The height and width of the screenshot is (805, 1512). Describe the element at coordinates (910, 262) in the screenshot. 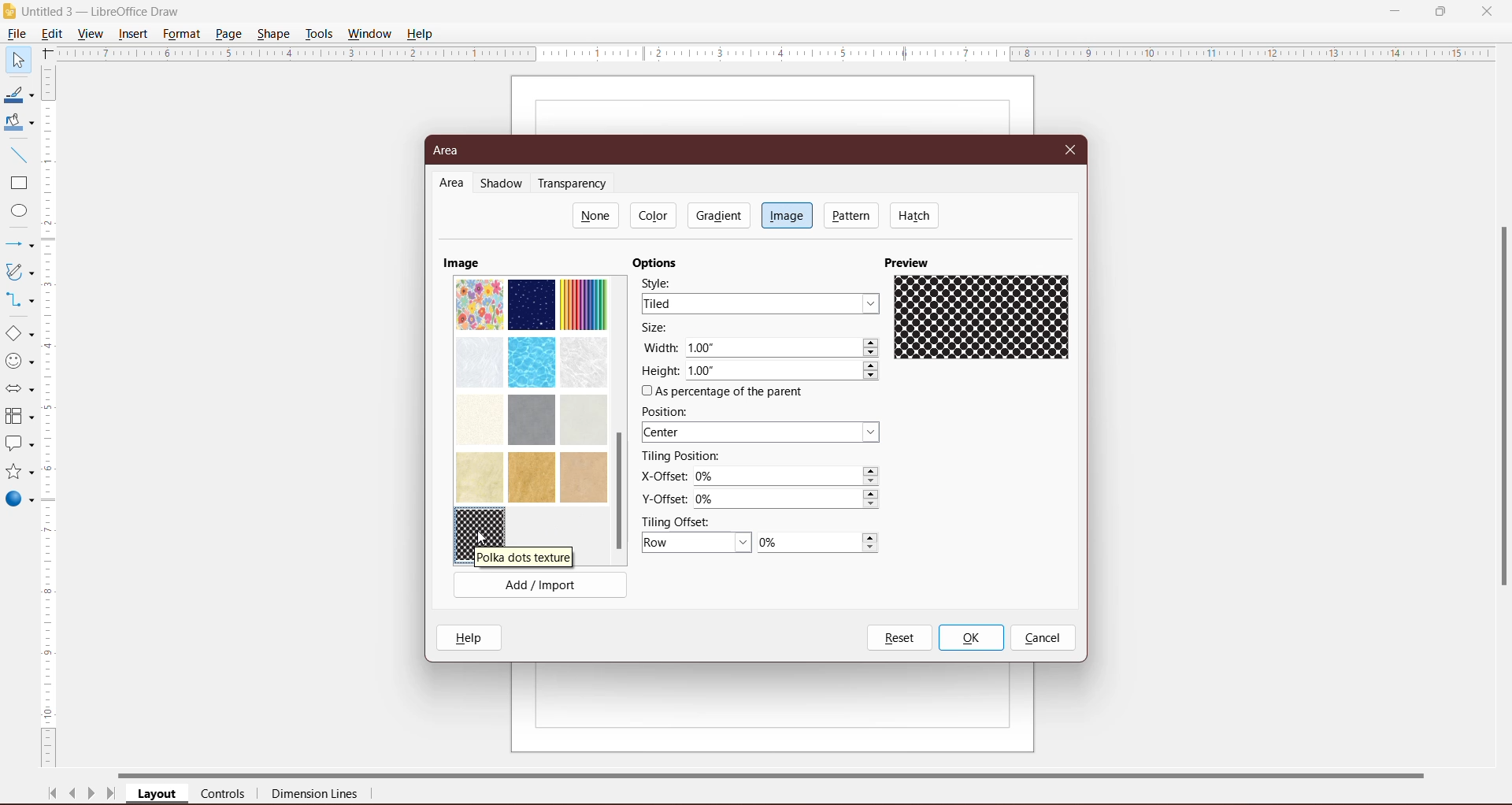

I see `Preview` at that location.